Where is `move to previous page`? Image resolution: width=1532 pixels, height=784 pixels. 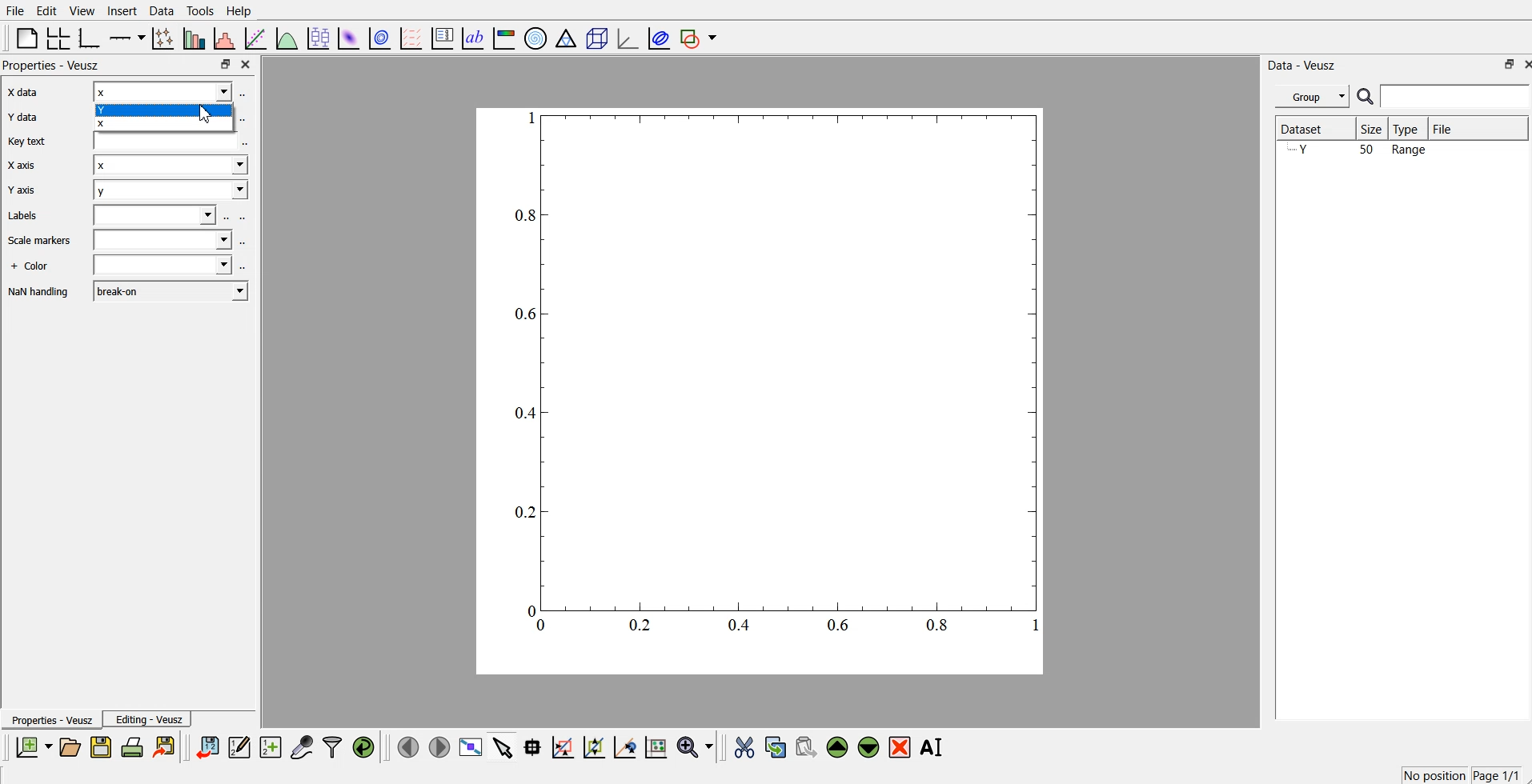
move to previous page is located at coordinates (409, 746).